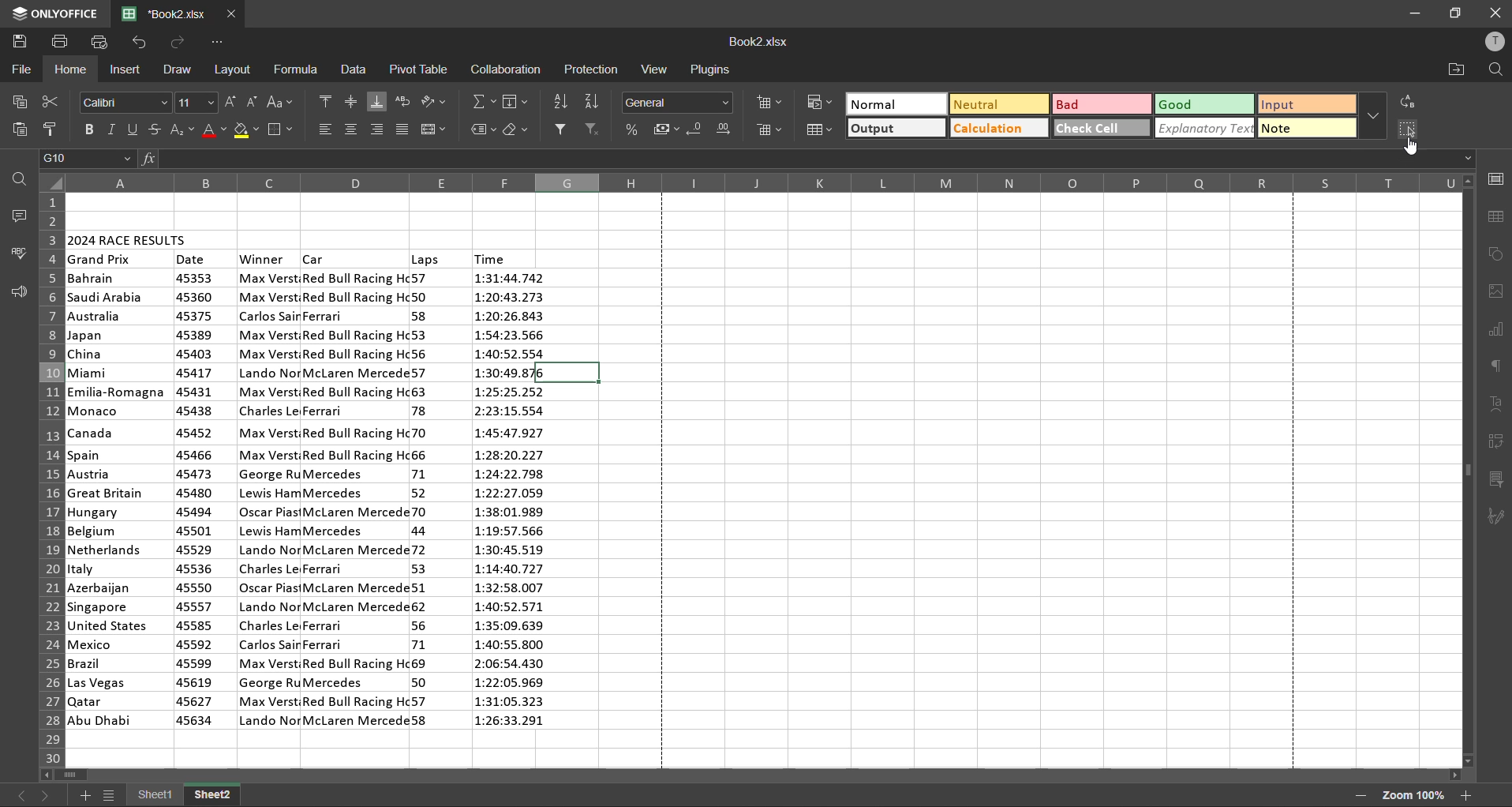 The width and height of the screenshot is (1512, 807). I want to click on align right, so click(378, 130).